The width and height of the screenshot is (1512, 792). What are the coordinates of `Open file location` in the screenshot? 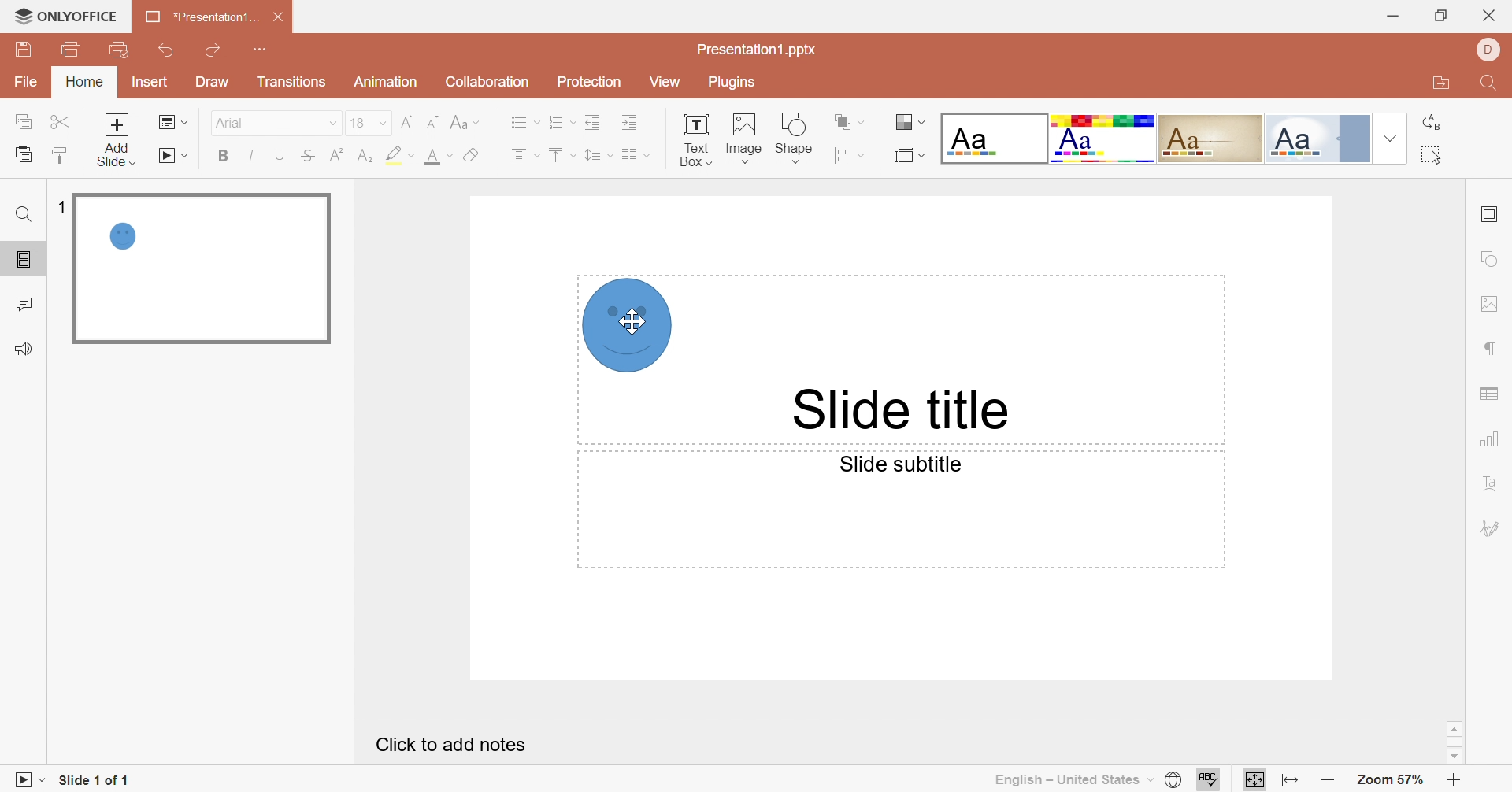 It's located at (1437, 85).